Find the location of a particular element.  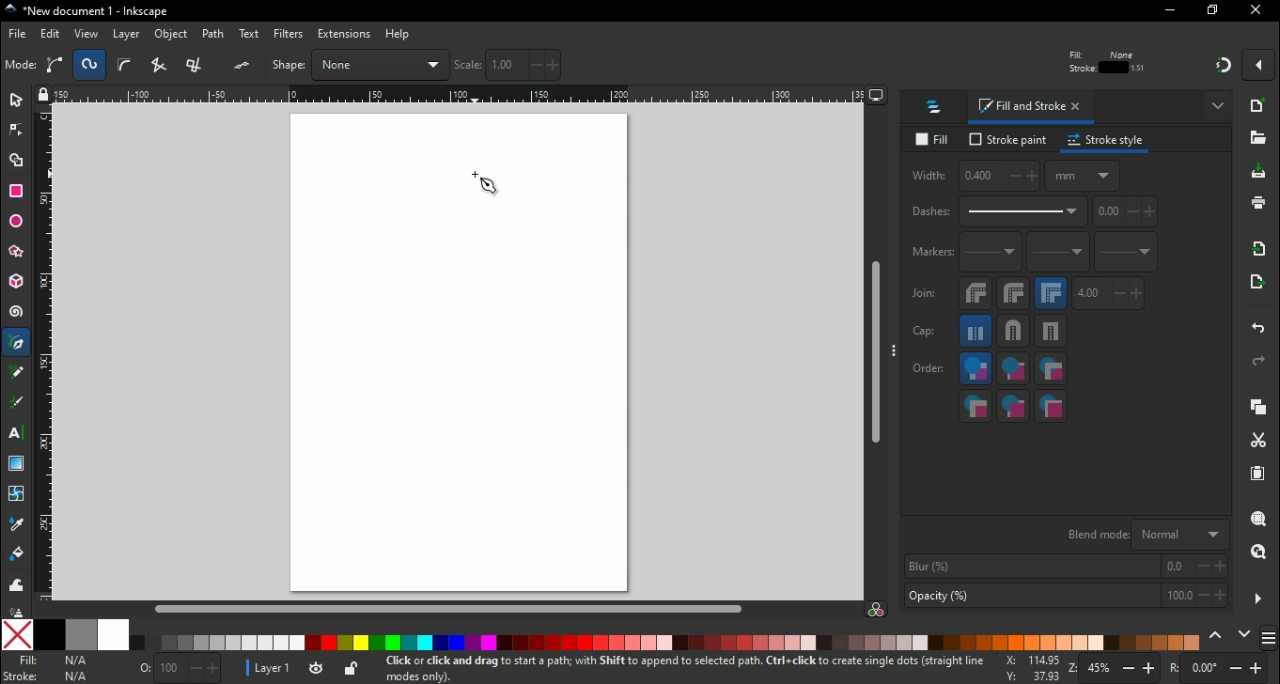

zoom selection is located at coordinates (1261, 520).